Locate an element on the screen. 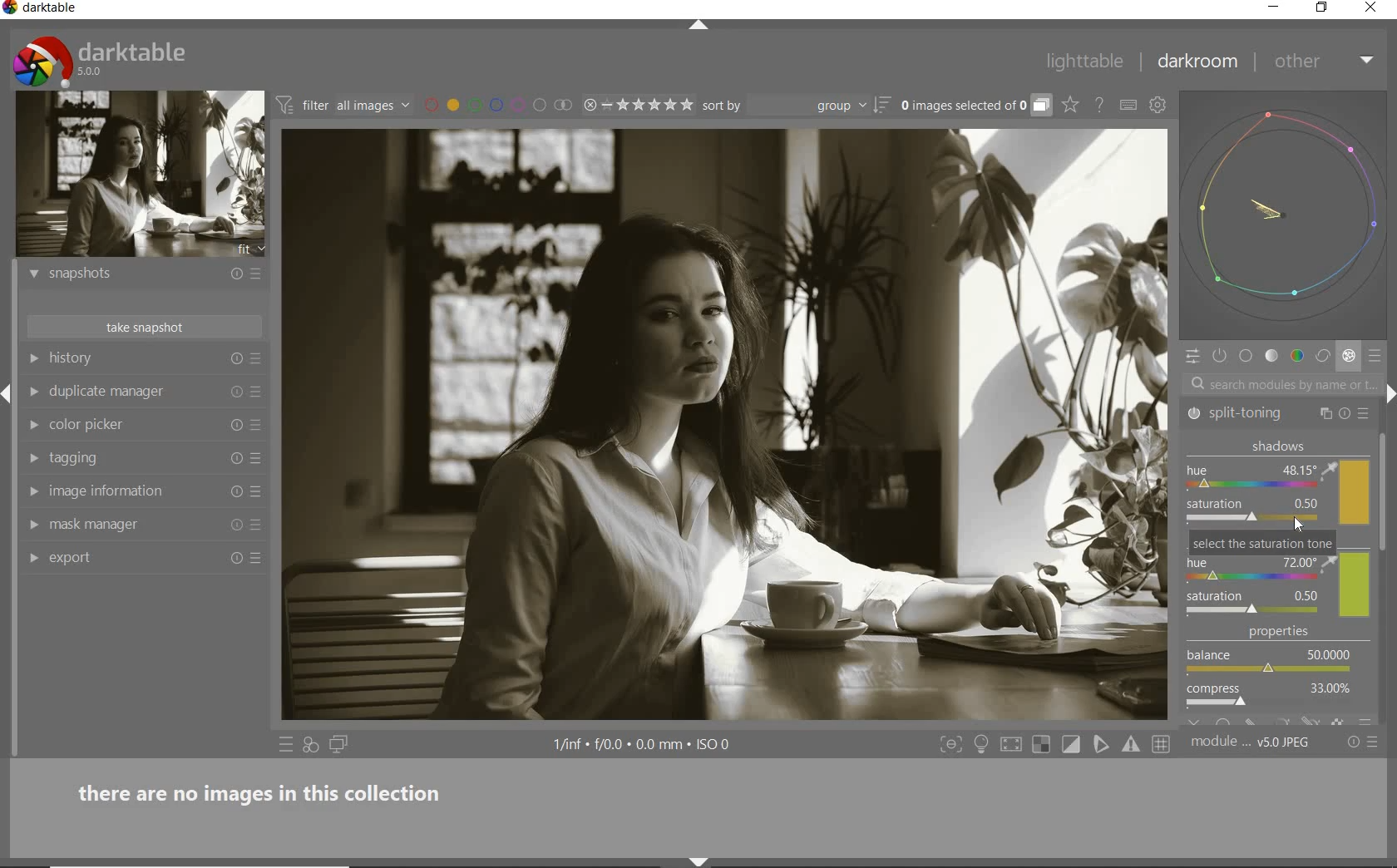  show module is located at coordinates (33, 560).